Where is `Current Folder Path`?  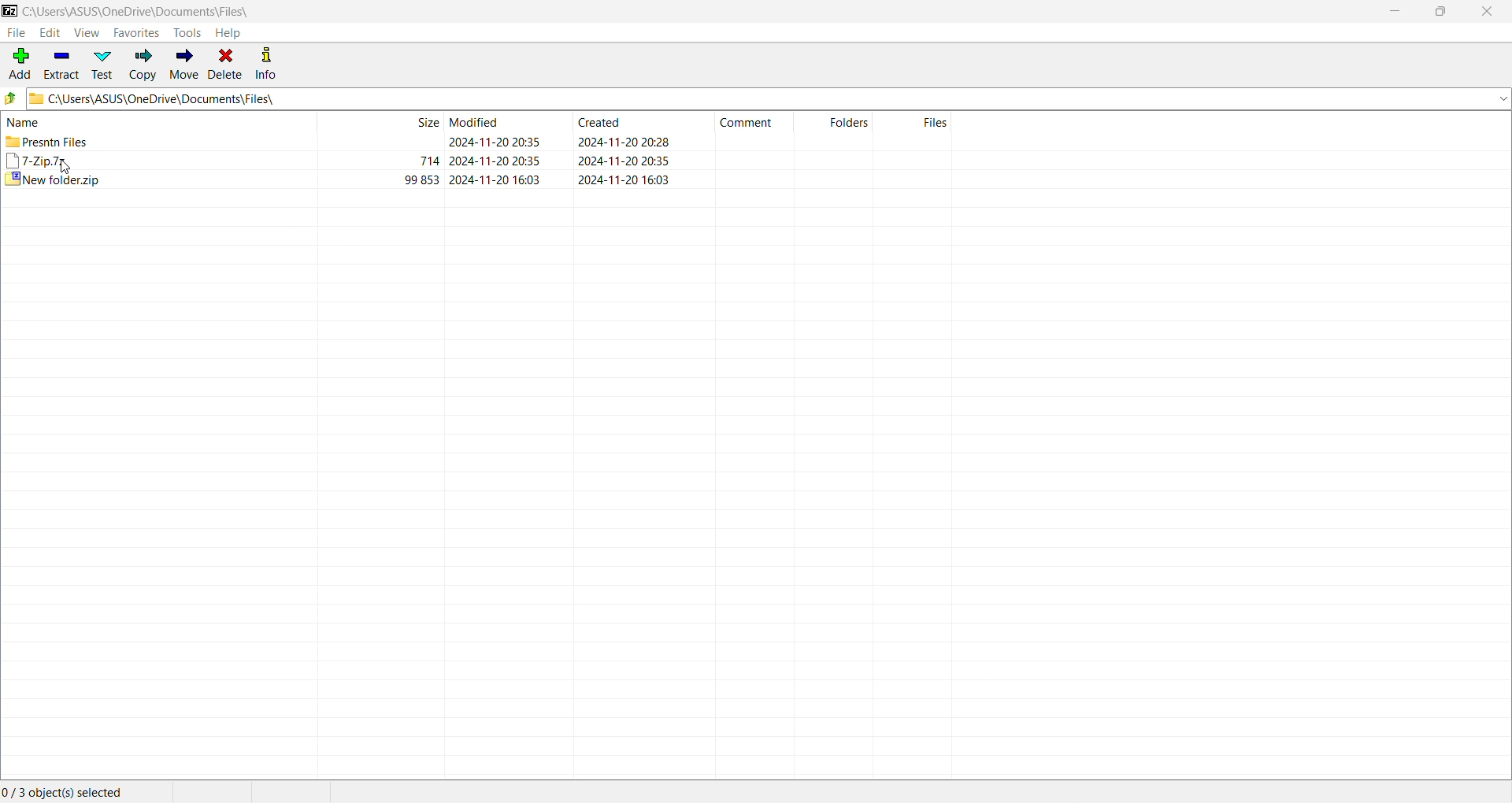 Current Folder Path is located at coordinates (139, 9).